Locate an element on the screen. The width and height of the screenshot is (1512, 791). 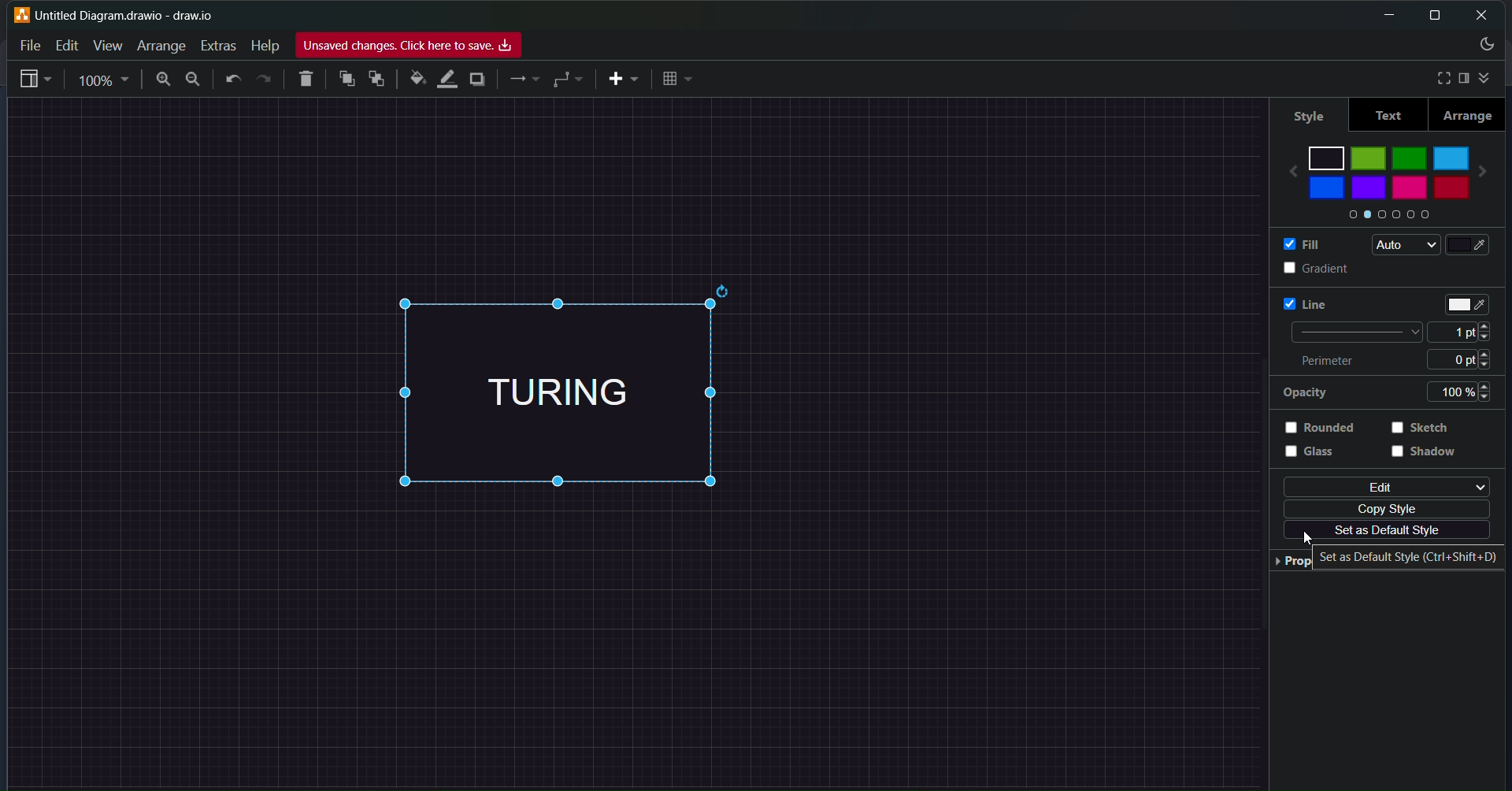
Arrange is located at coordinates (161, 45).